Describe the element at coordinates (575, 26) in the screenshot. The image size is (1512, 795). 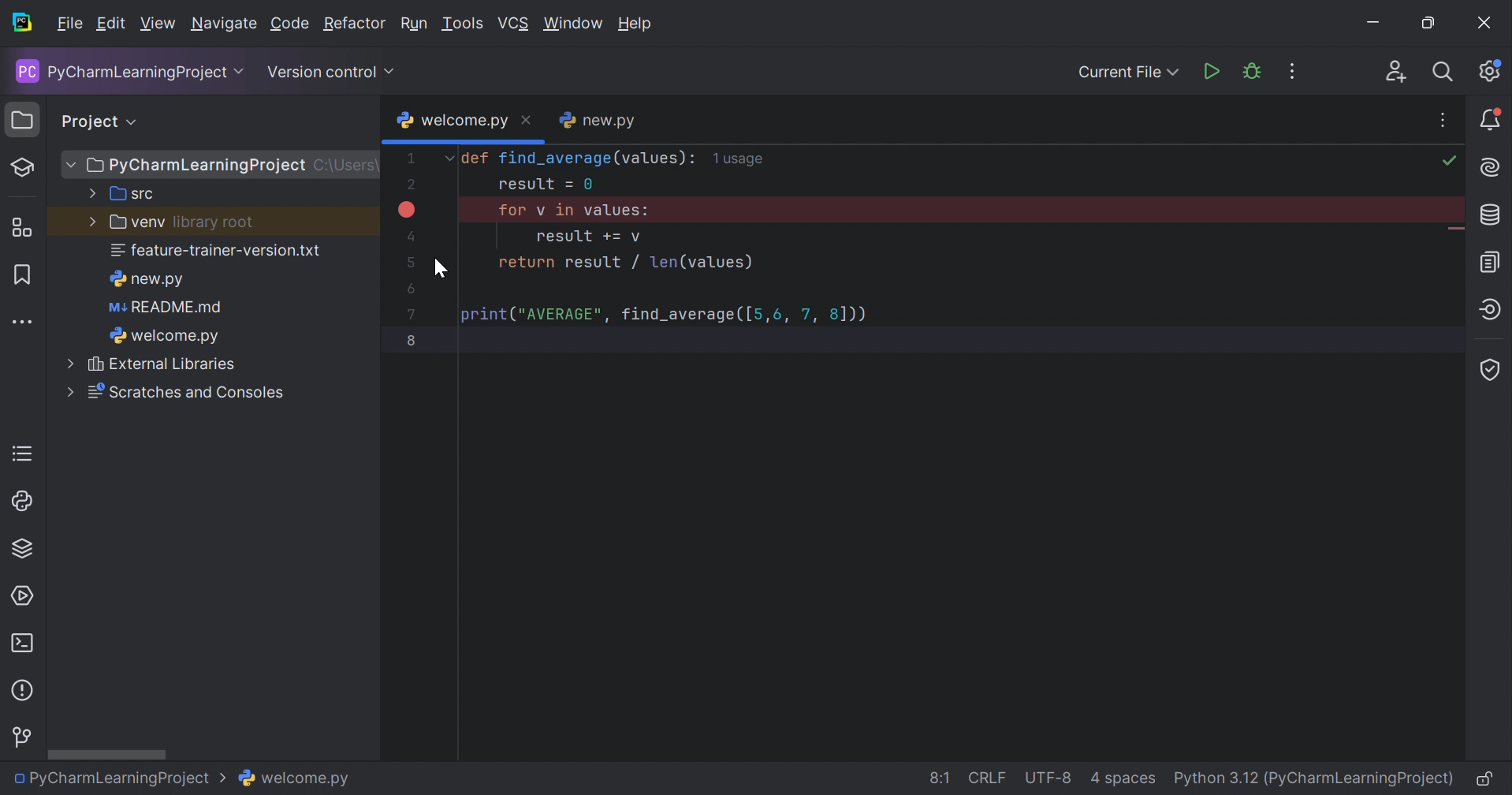
I see `Window` at that location.